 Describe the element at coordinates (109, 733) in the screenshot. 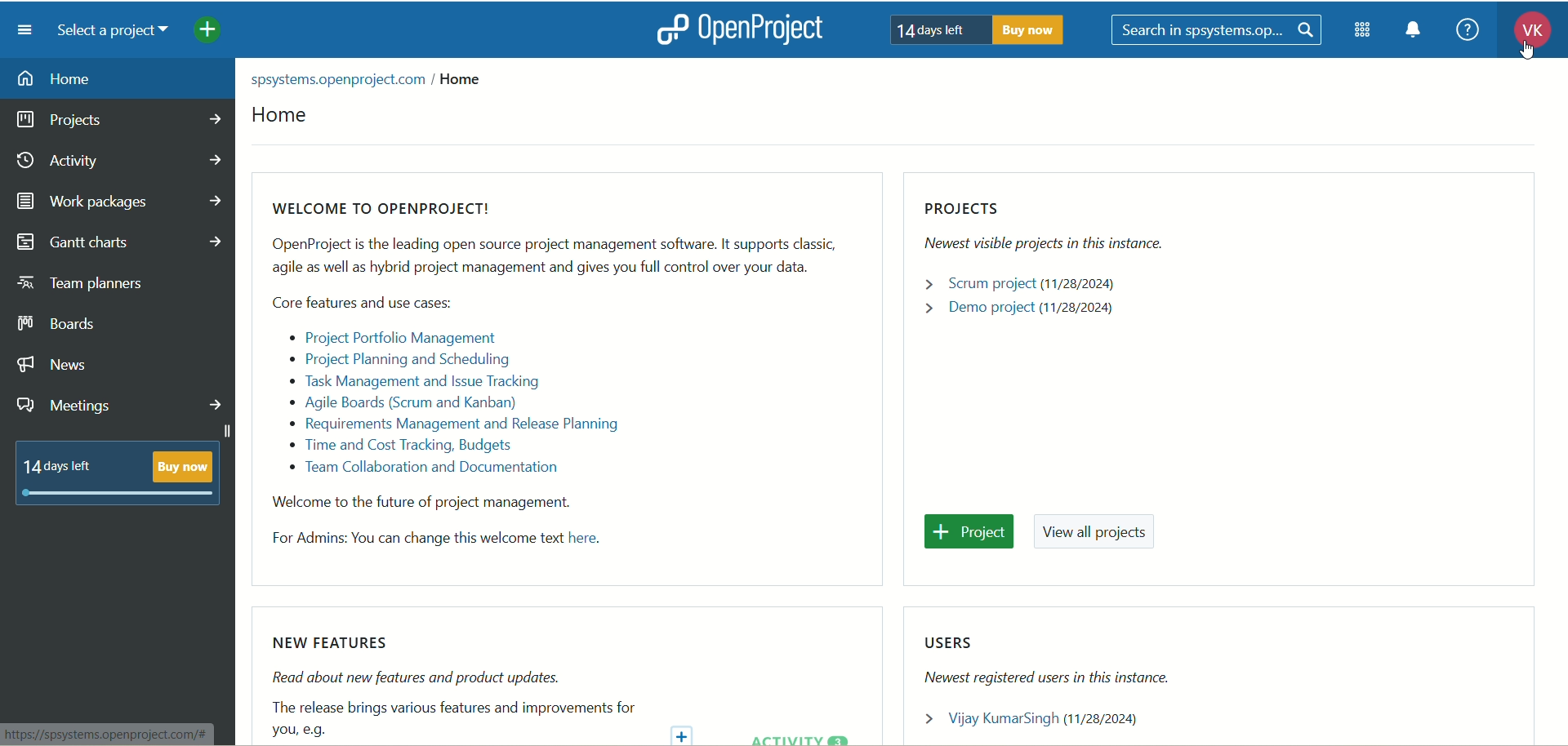

I see `URL` at that location.